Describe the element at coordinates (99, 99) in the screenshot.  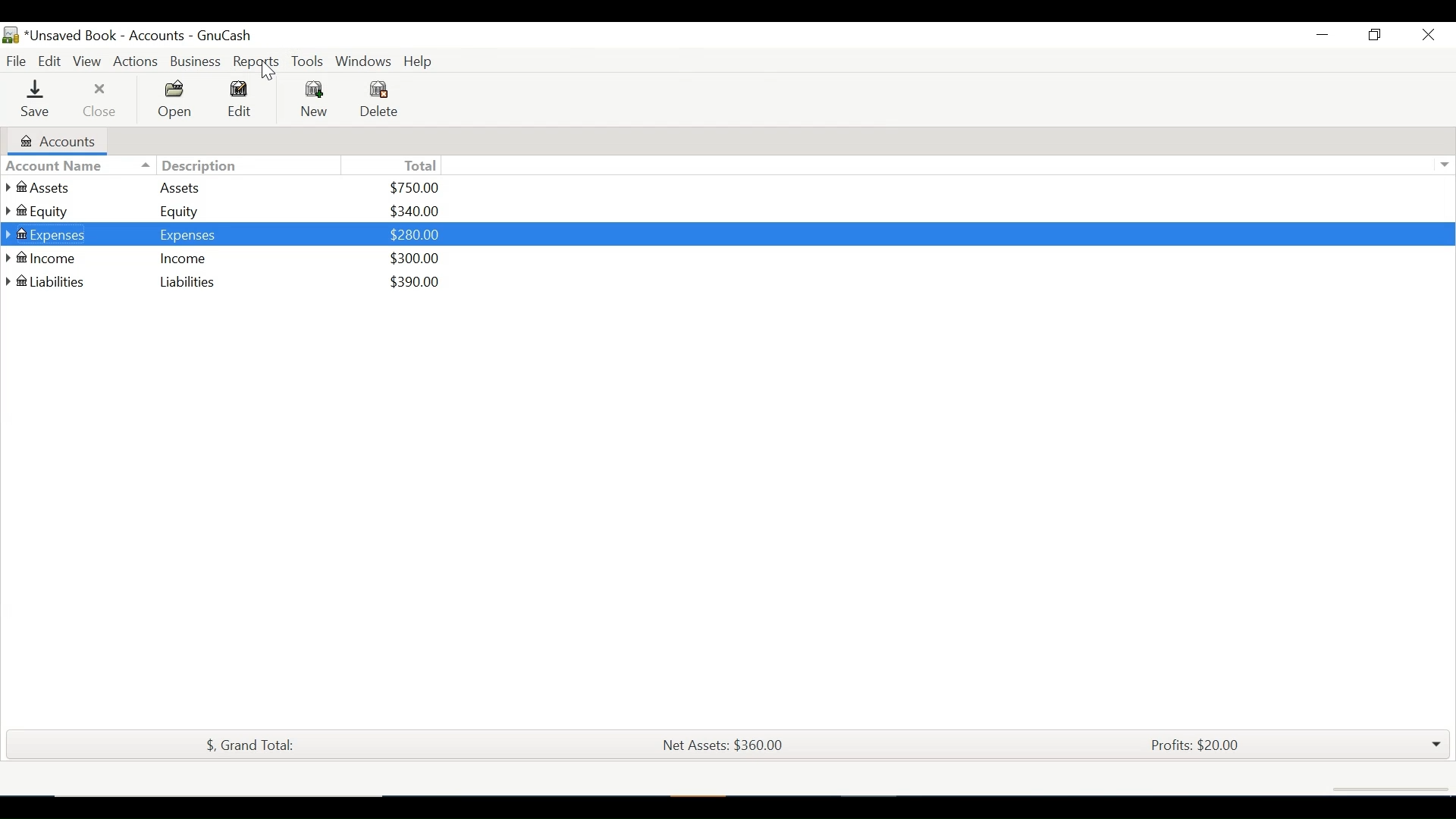
I see `Close` at that location.